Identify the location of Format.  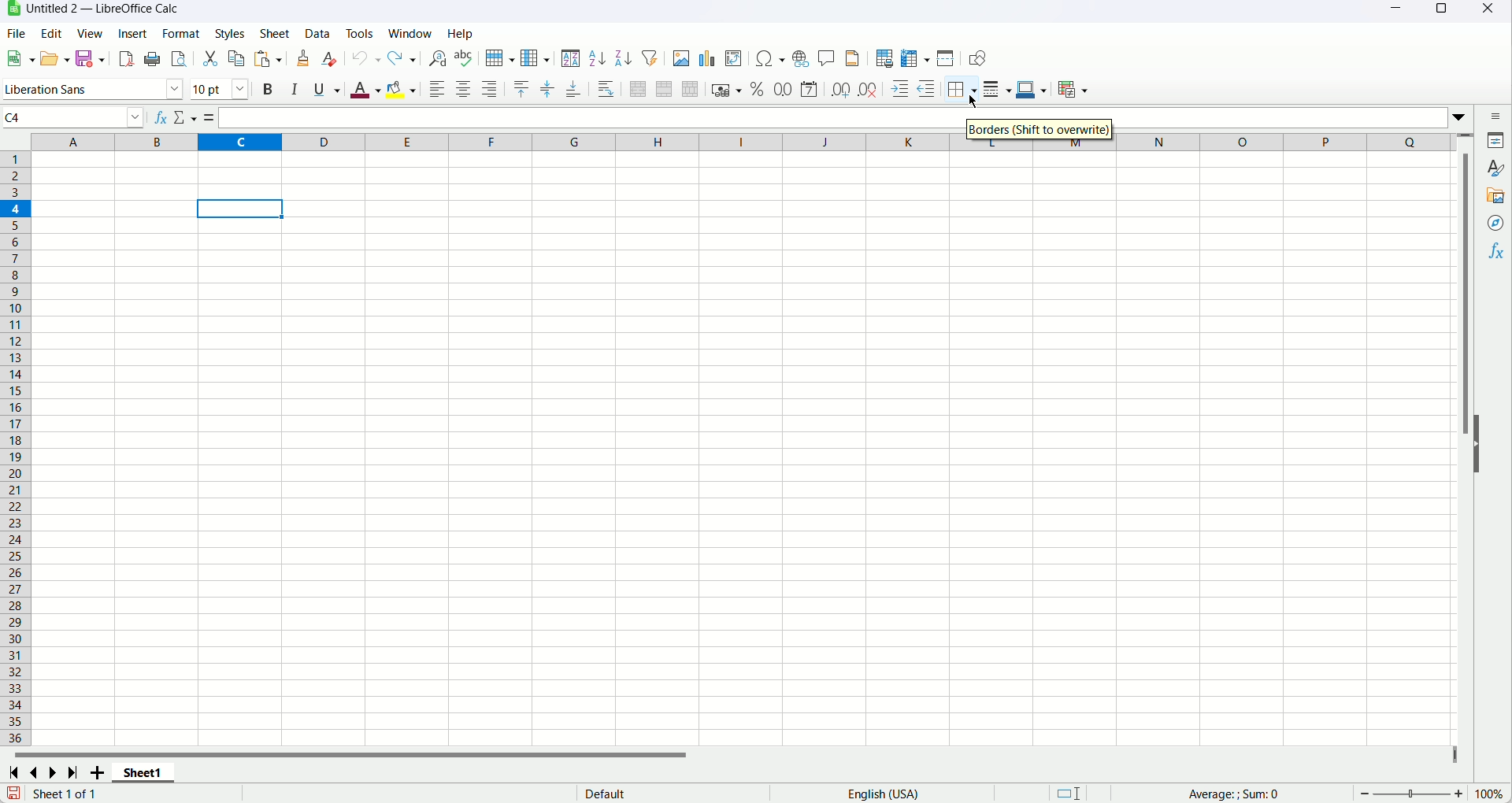
(179, 32).